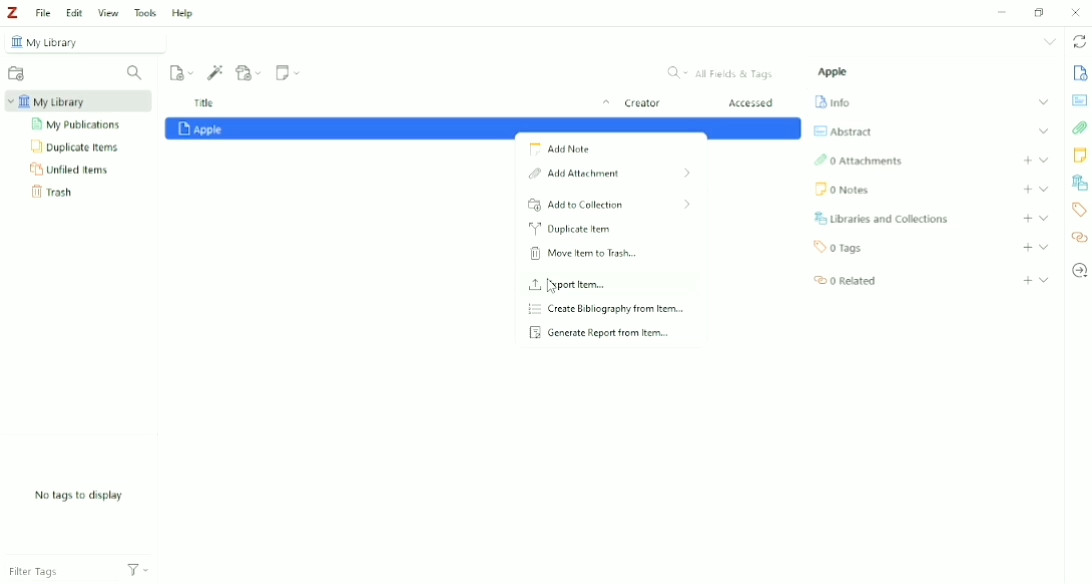 The height and width of the screenshot is (584, 1092). I want to click on New Item, so click(182, 72).